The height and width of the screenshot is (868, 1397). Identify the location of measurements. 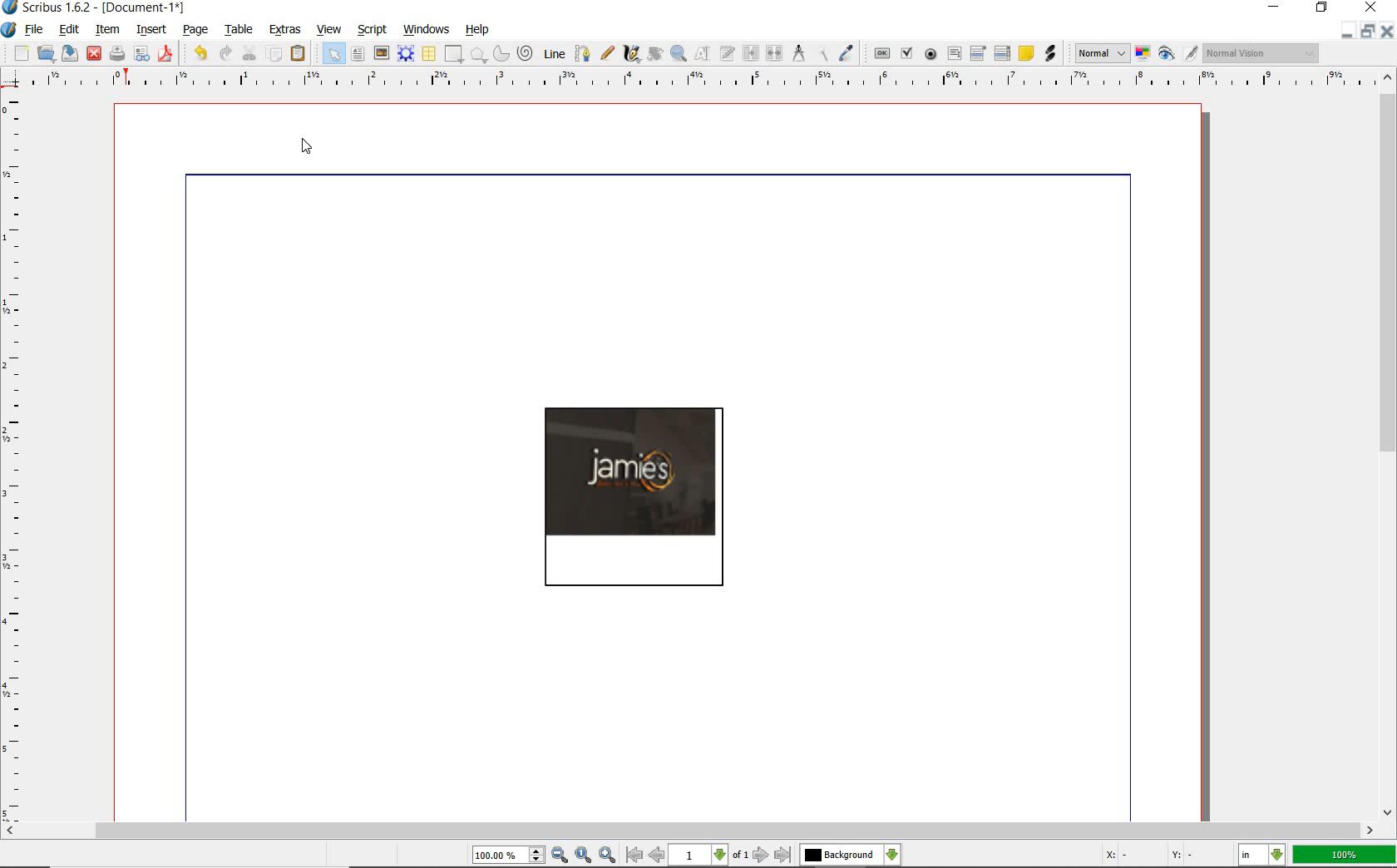
(799, 52).